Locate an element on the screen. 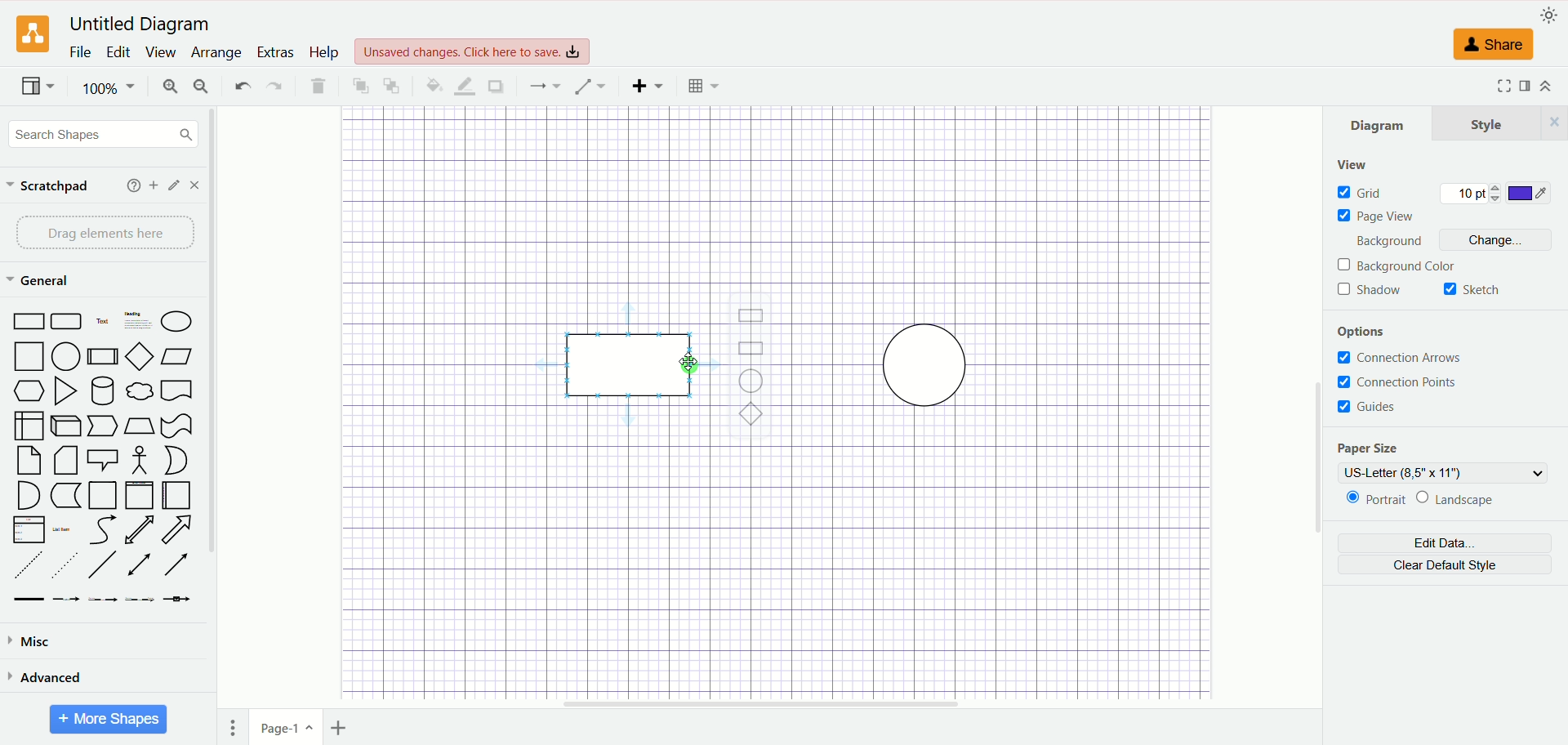 This screenshot has width=1568, height=745. Semicircle is located at coordinates (29, 495).